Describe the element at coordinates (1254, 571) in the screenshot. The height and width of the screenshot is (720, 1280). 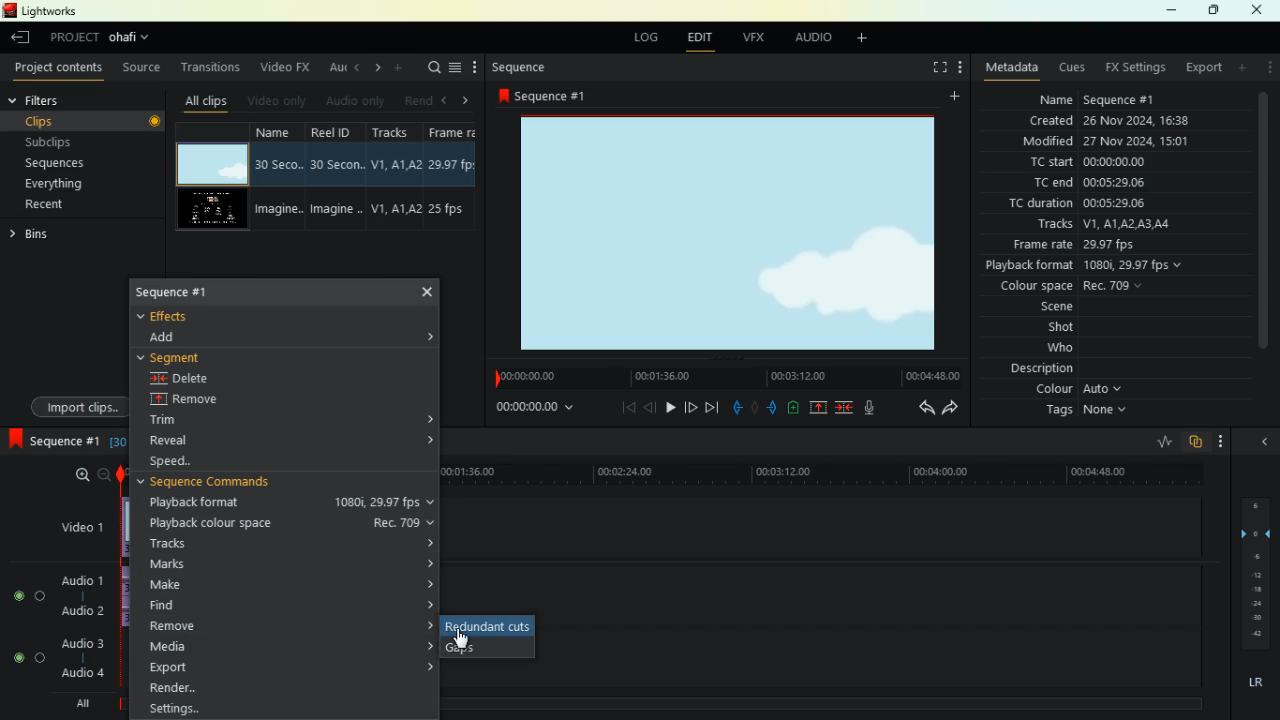
I see `layers` at that location.